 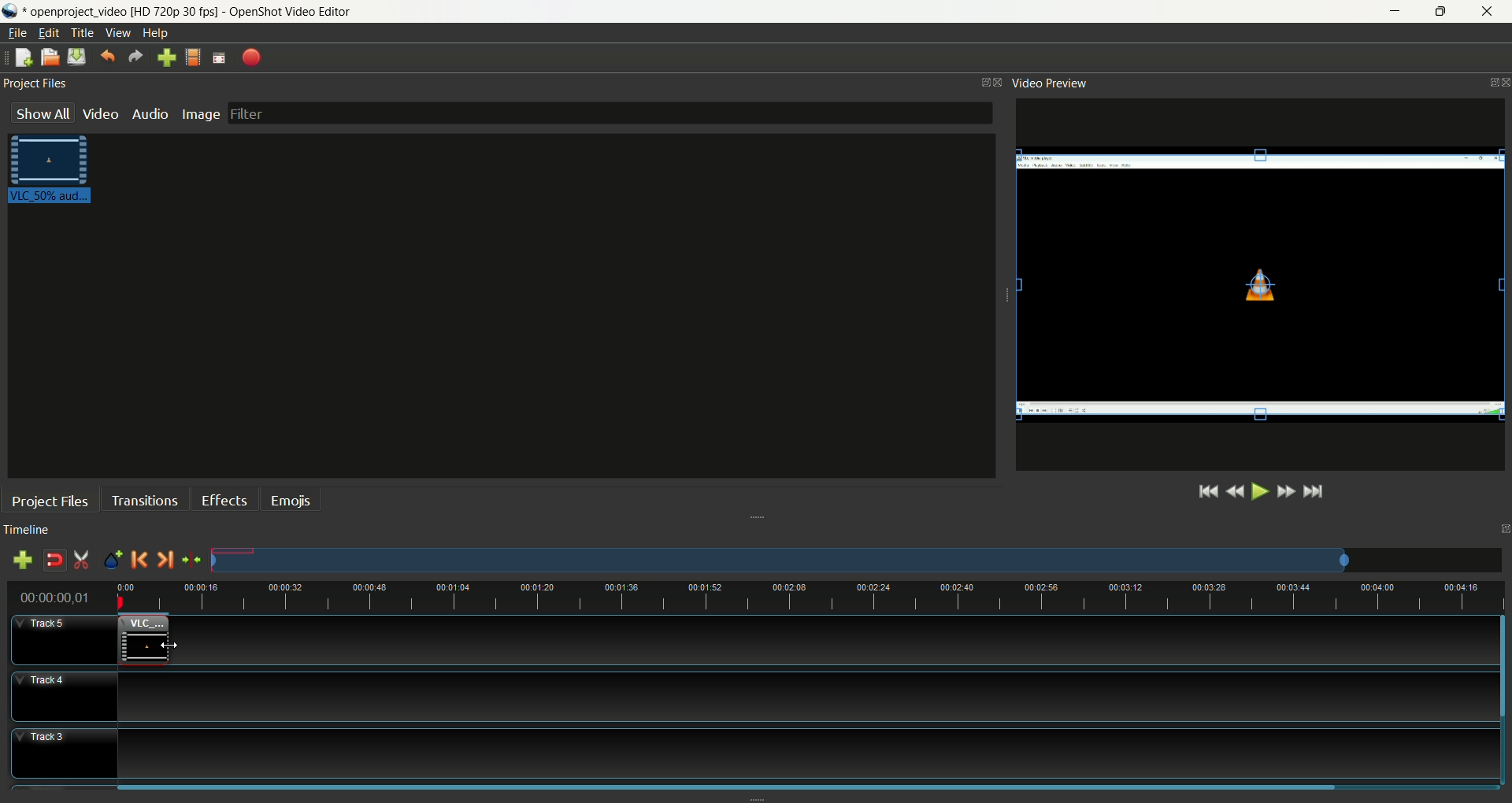 I want to click on project files, so click(x=39, y=85).